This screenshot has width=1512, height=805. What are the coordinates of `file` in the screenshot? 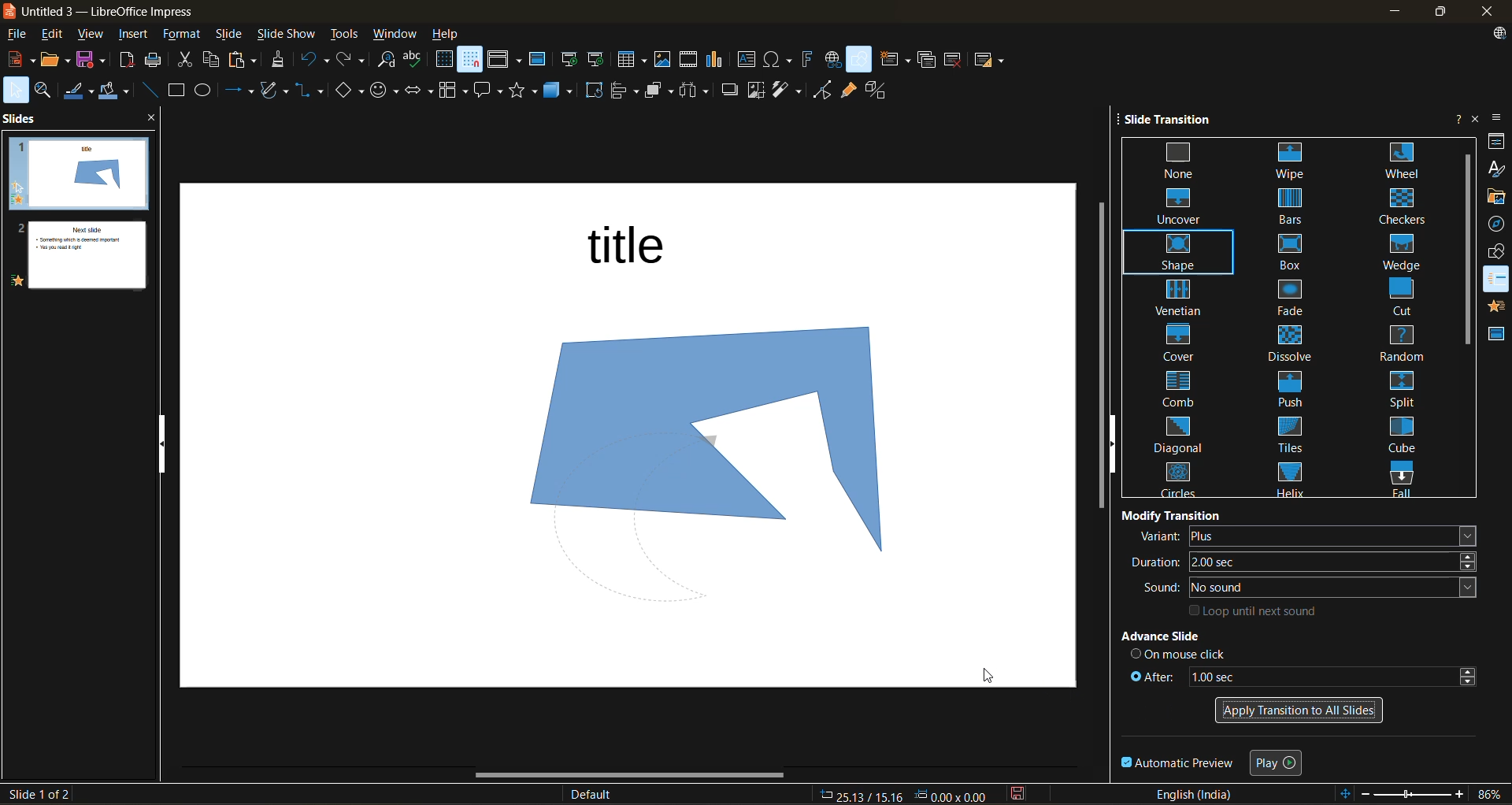 It's located at (21, 35).